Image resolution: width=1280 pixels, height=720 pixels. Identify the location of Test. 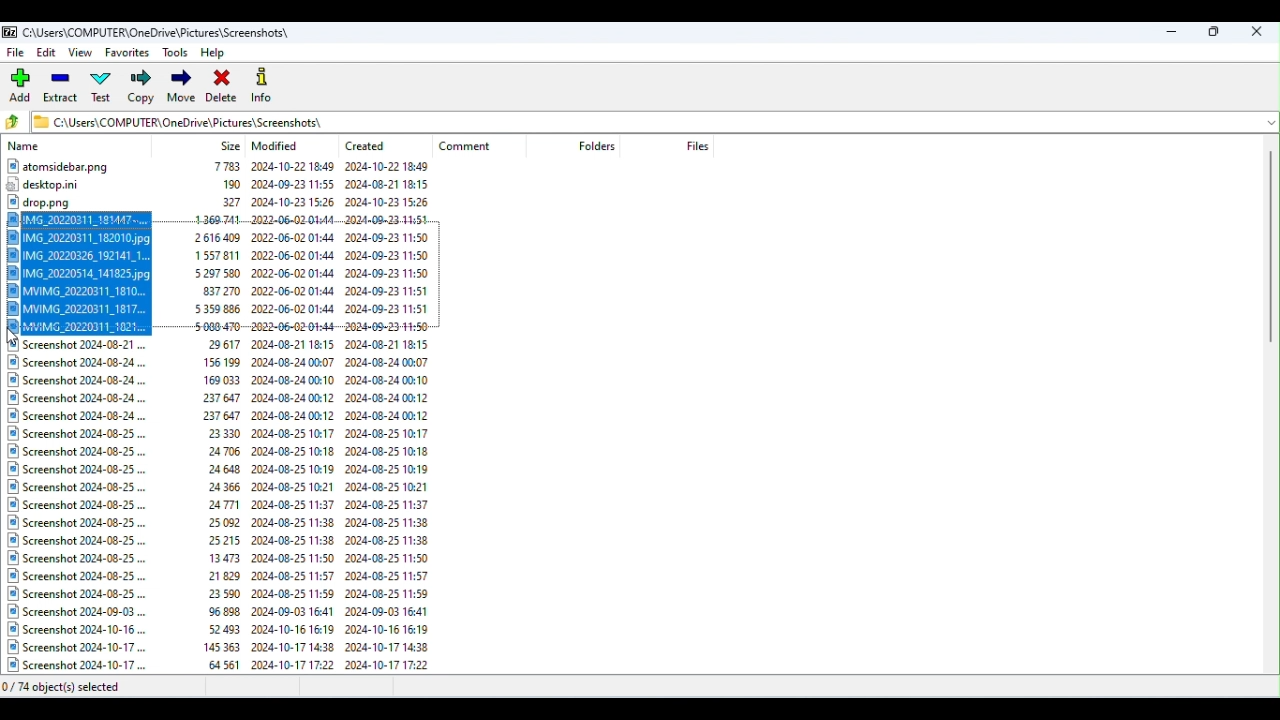
(105, 89).